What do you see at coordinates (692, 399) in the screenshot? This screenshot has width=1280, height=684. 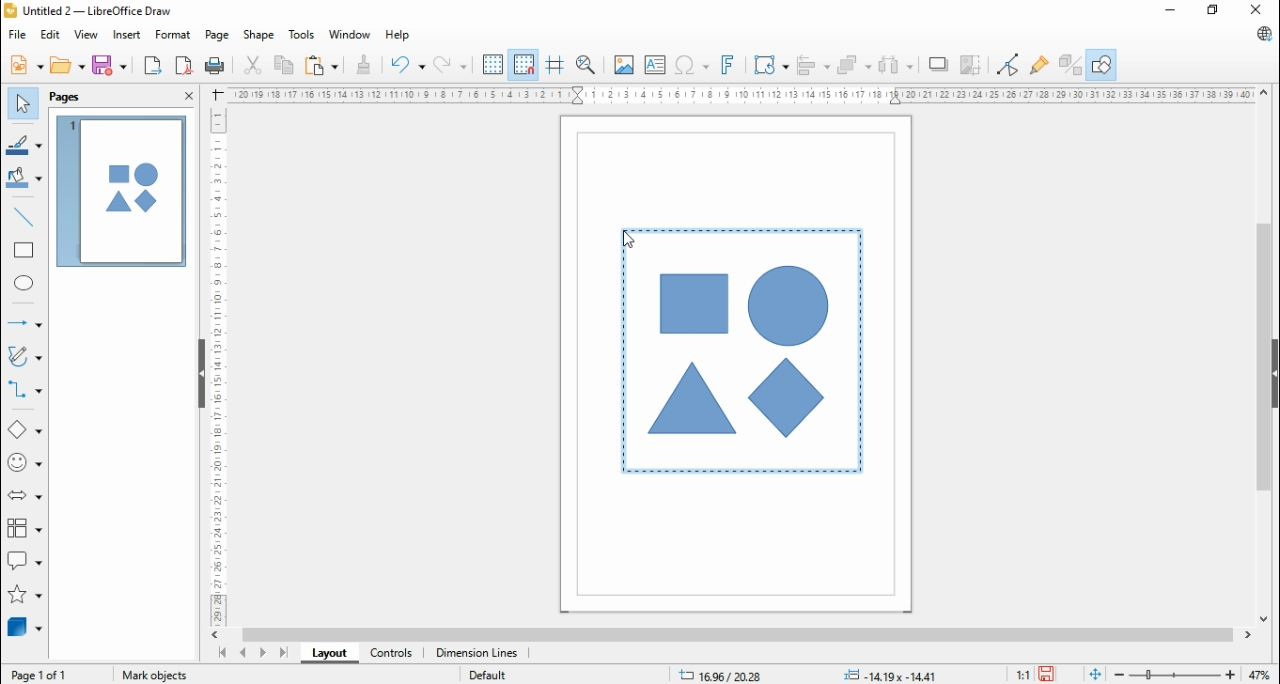 I see `shape 2` at bounding box center [692, 399].